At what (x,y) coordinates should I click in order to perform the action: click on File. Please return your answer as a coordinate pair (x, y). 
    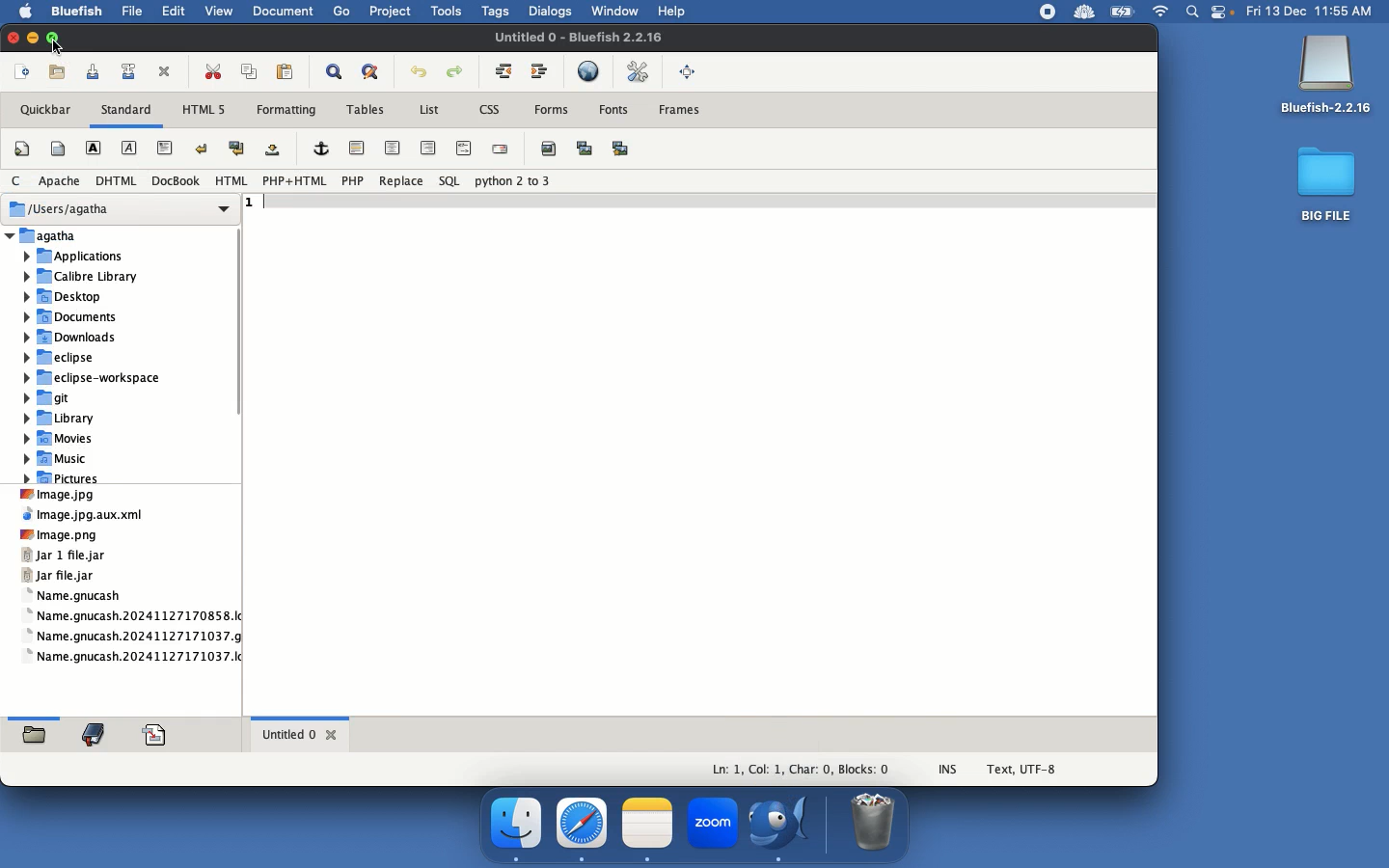
    Looking at the image, I should click on (86, 517).